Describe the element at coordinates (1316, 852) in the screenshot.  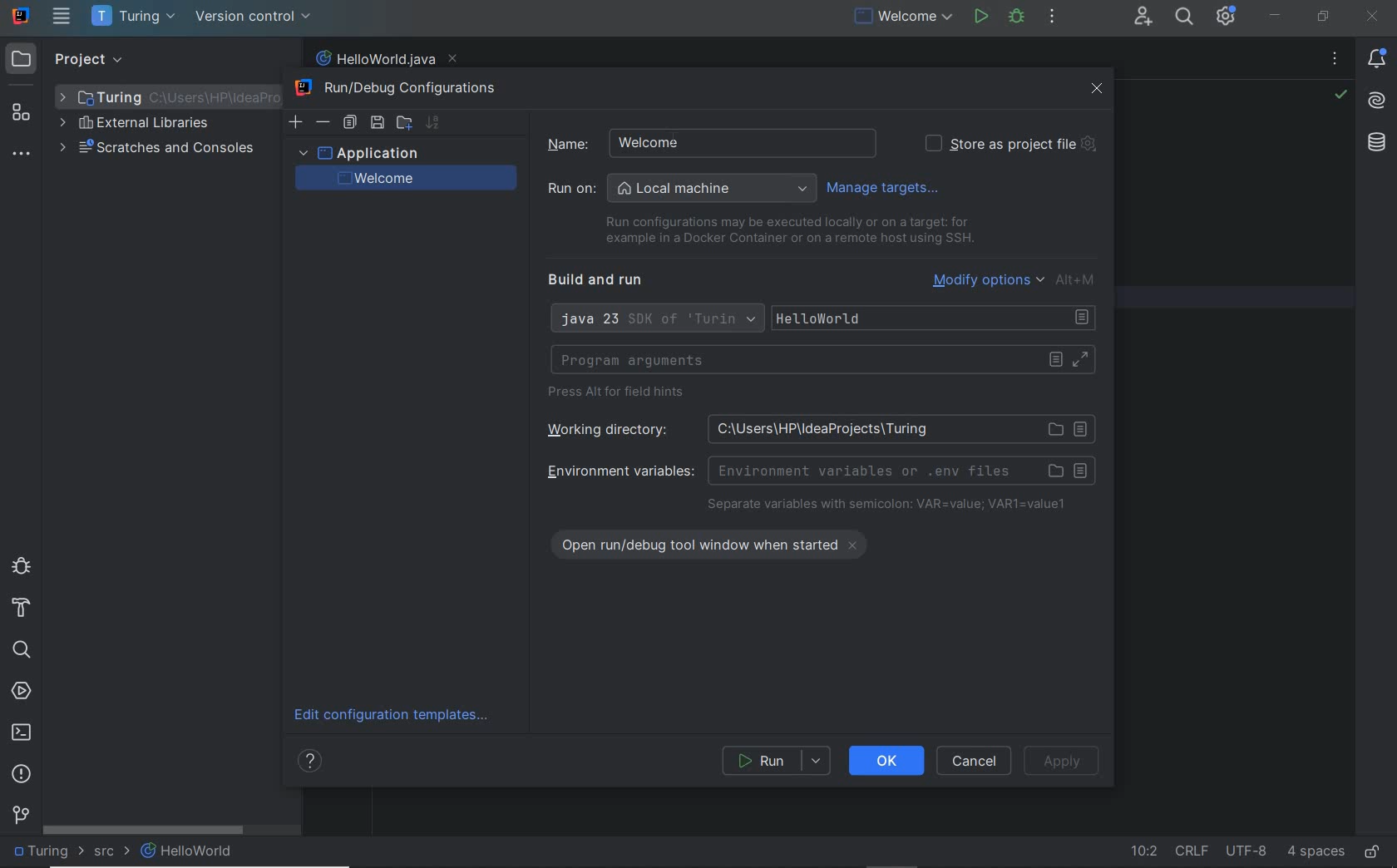
I see `indent` at that location.